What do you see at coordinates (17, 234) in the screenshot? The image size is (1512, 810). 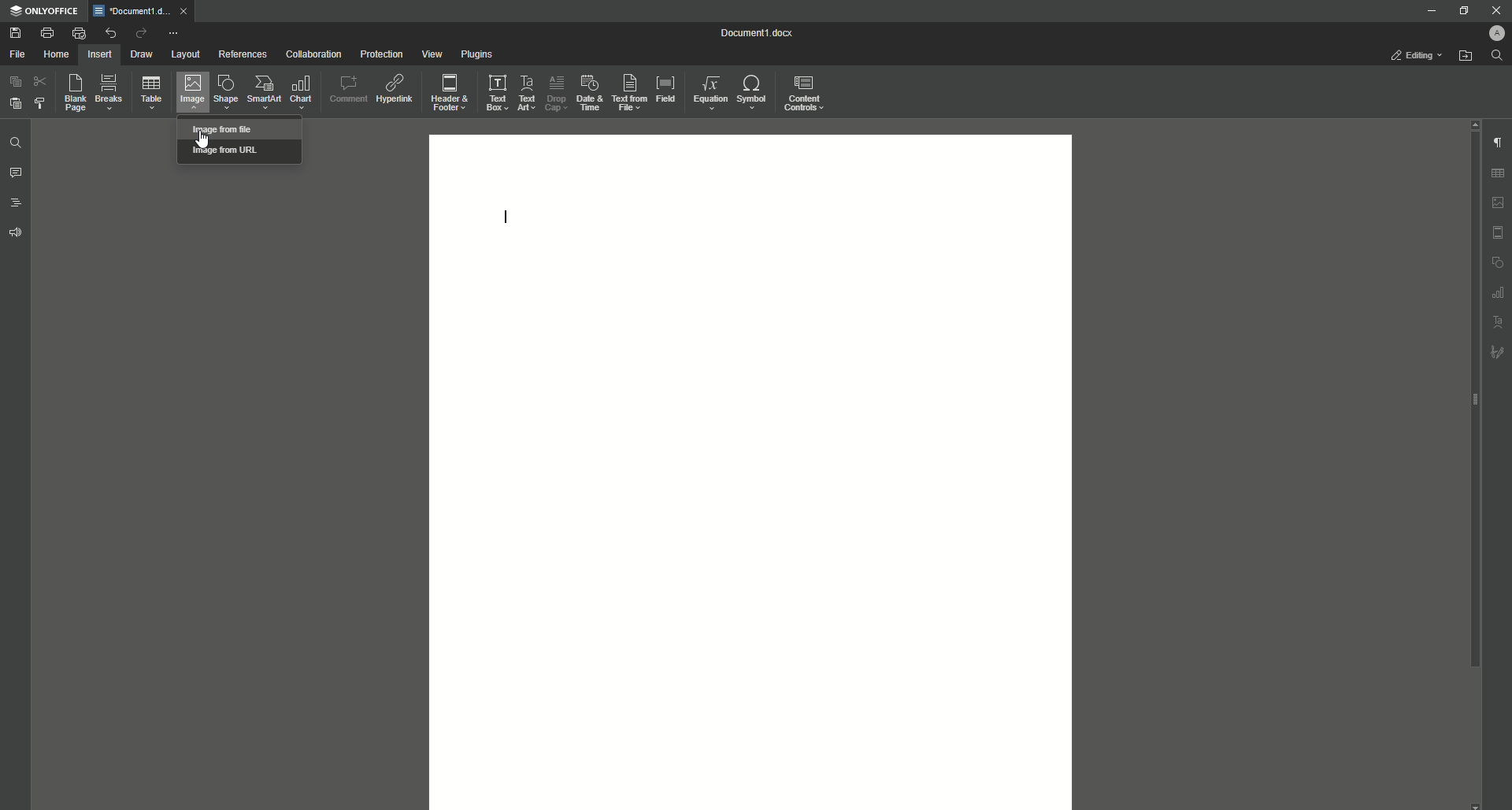 I see `Feedback` at bounding box center [17, 234].